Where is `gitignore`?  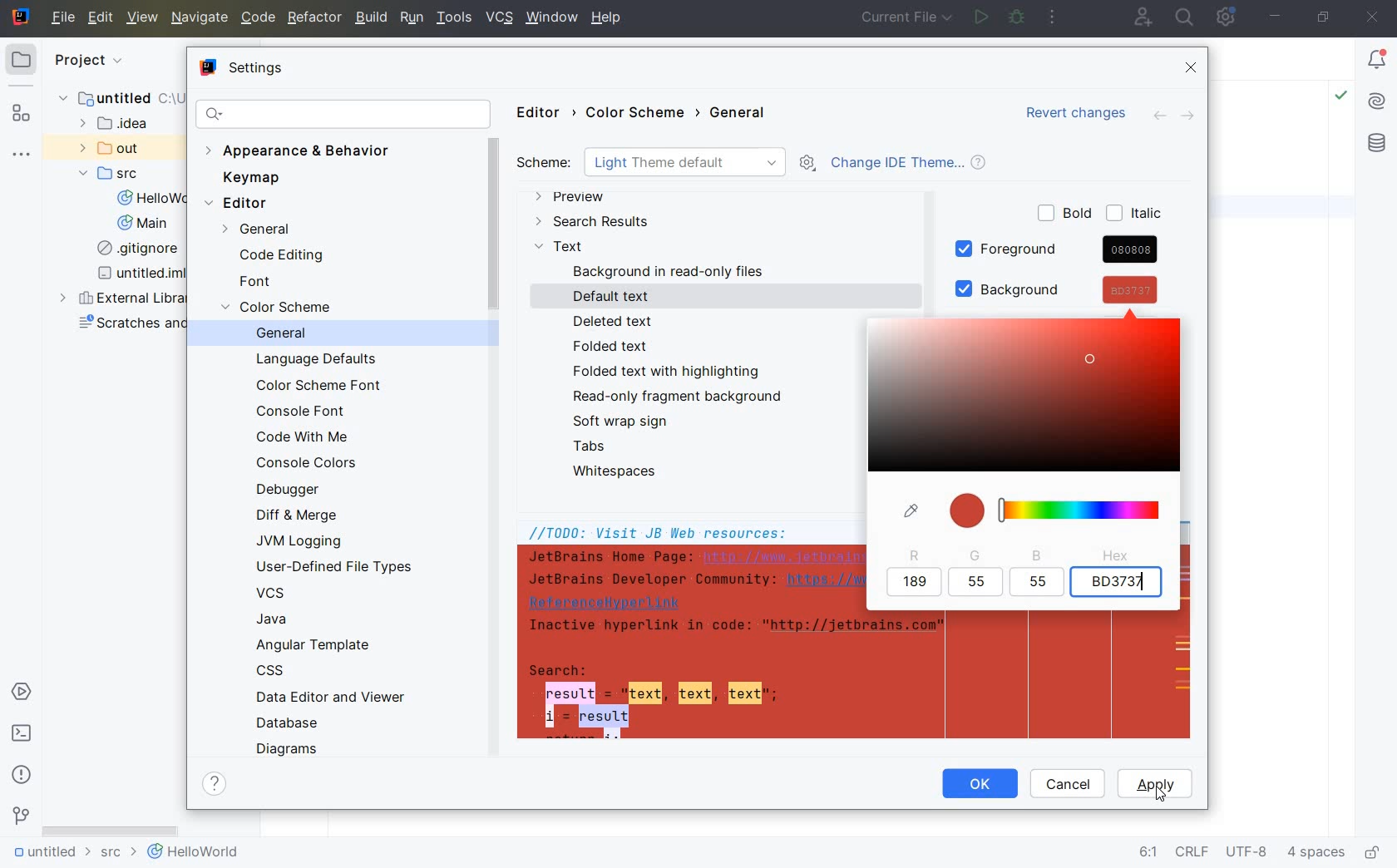
gitignore is located at coordinates (135, 249).